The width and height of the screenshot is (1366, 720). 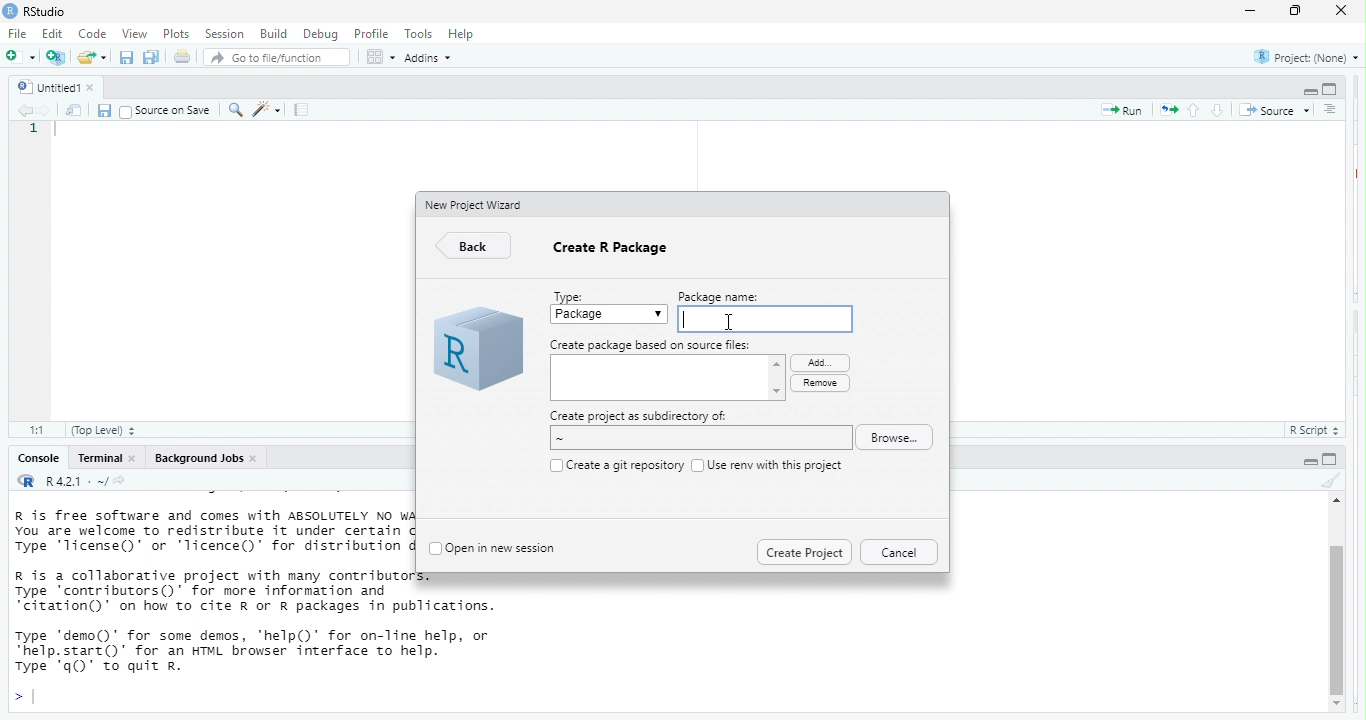 I want to click on  Go to fie/function, so click(x=277, y=58).